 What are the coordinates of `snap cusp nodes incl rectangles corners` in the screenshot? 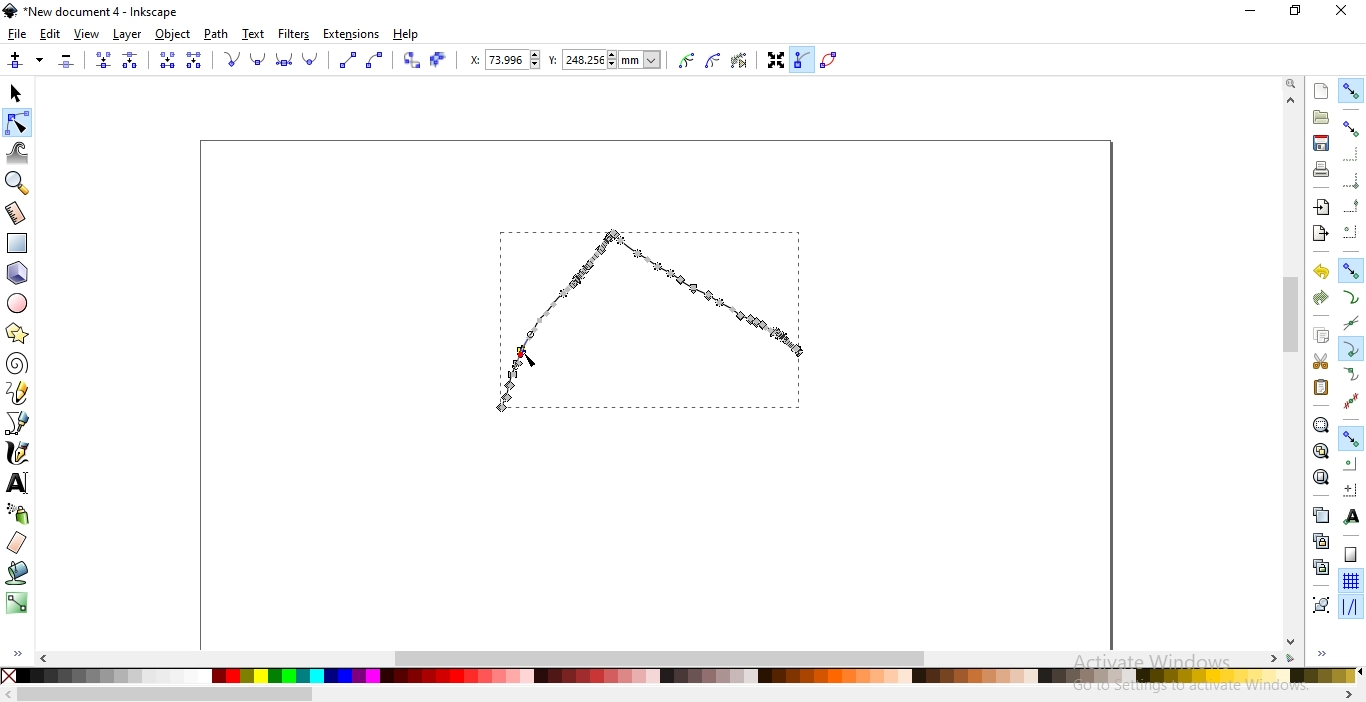 It's located at (1350, 349).